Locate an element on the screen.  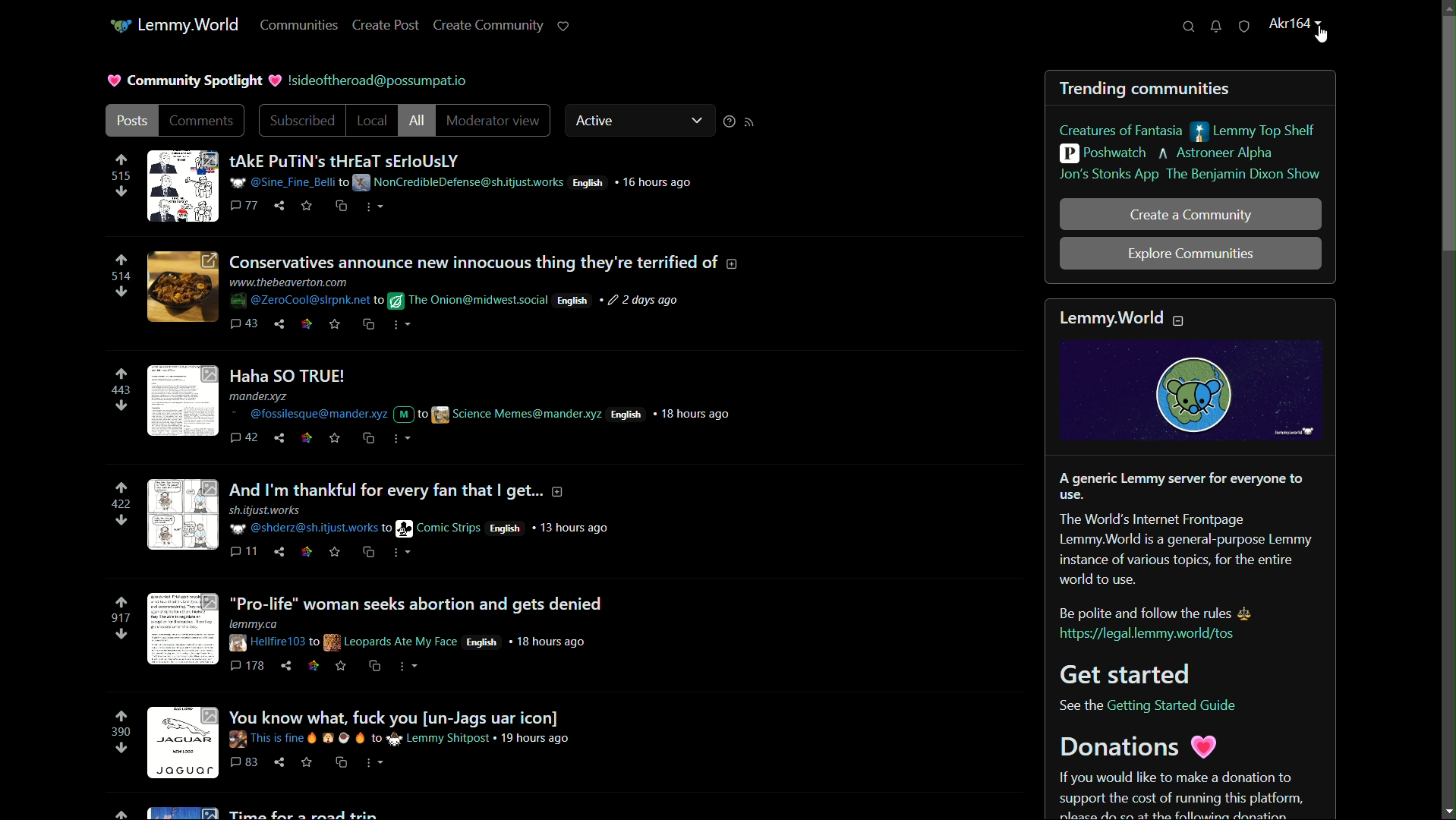
post-1 is located at coordinates (418, 186).